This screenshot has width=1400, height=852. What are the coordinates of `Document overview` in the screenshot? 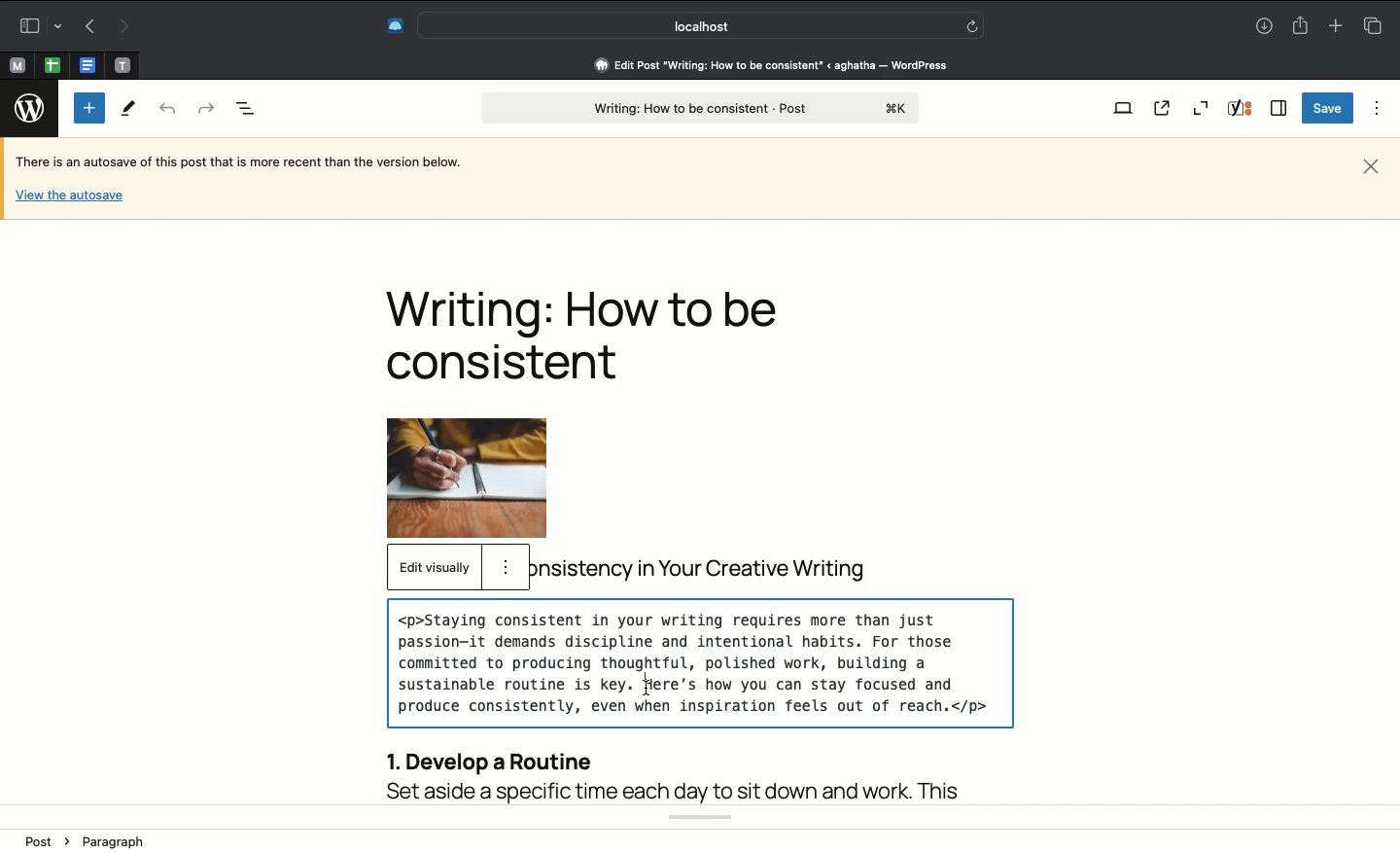 It's located at (246, 110).